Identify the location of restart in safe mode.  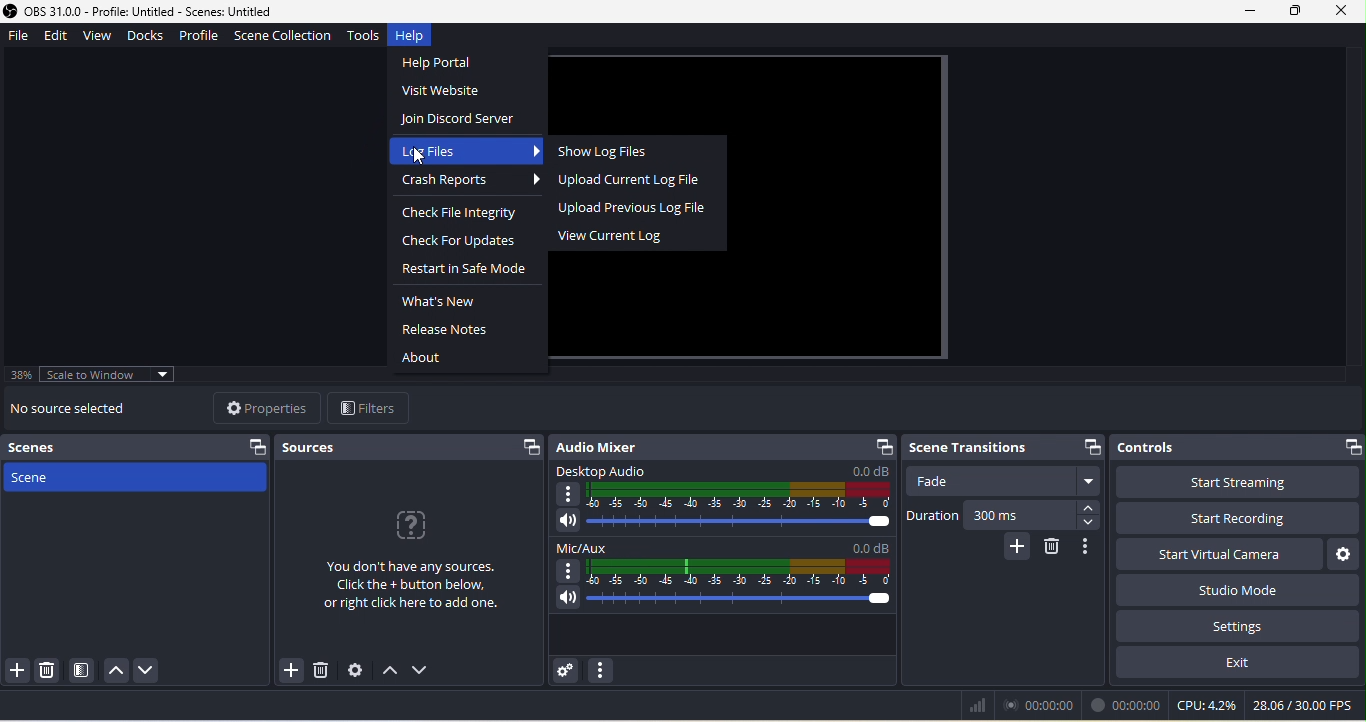
(469, 271).